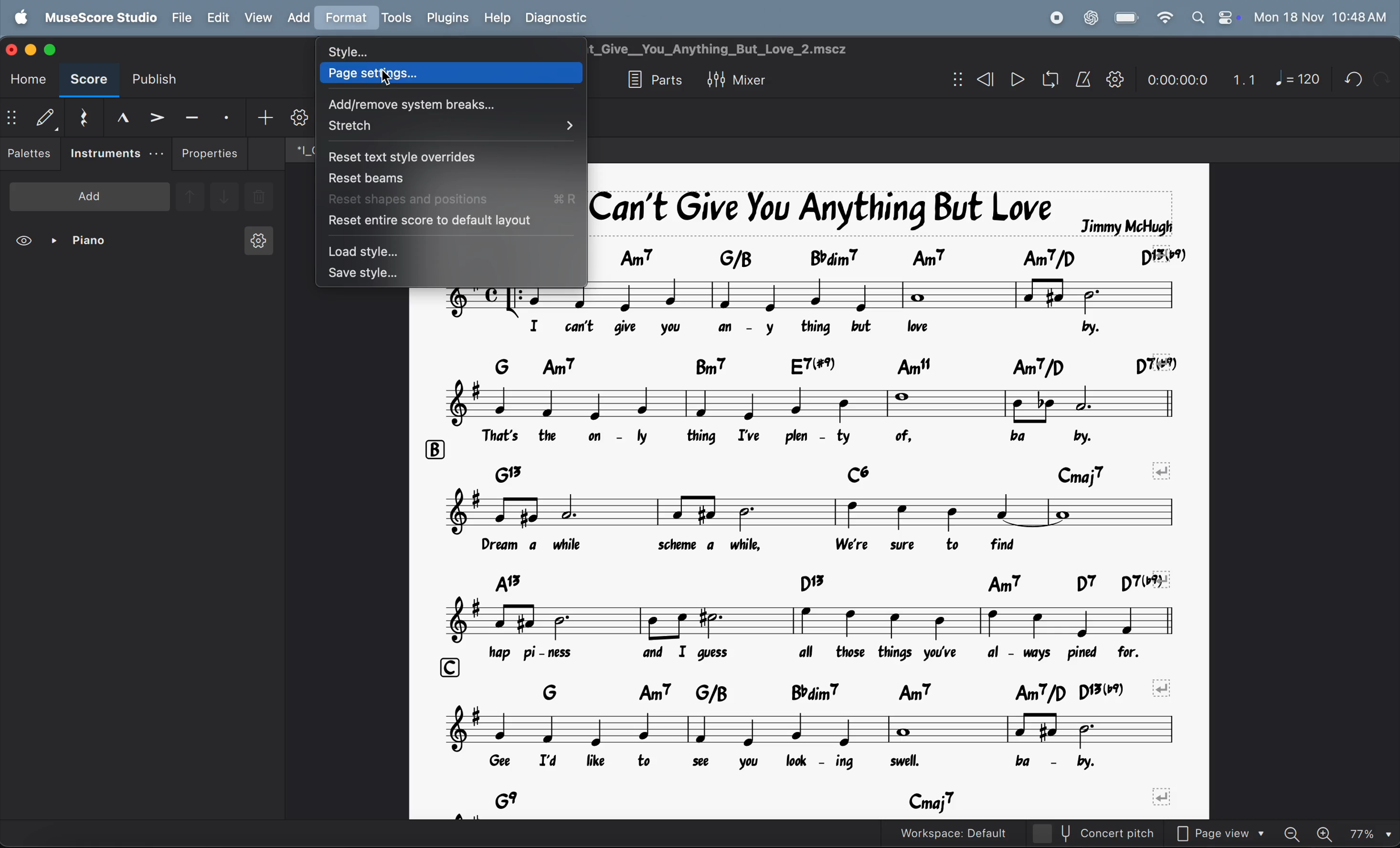  I want to click on display, so click(45, 117).